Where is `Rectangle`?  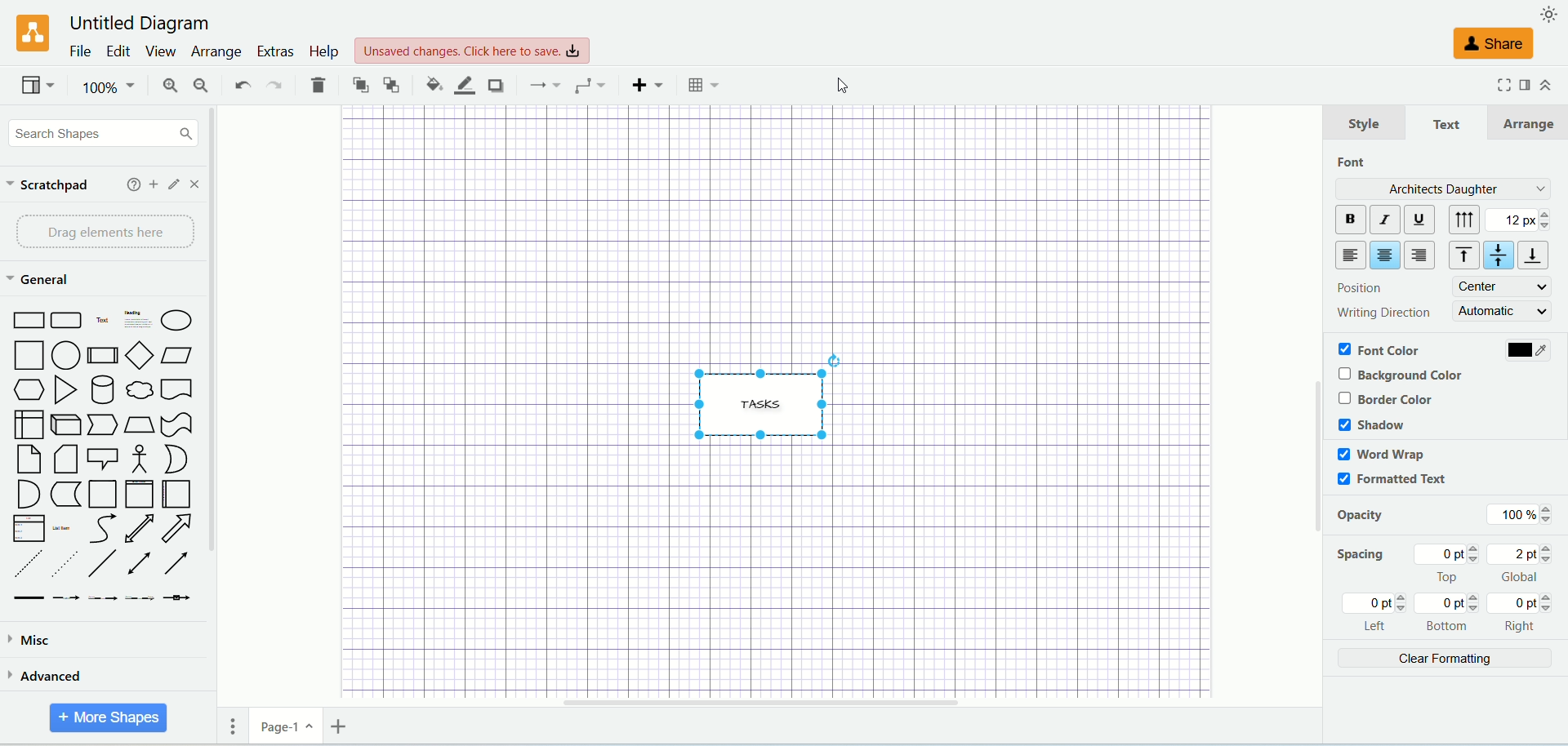
Rectangle is located at coordinates (26, 318).